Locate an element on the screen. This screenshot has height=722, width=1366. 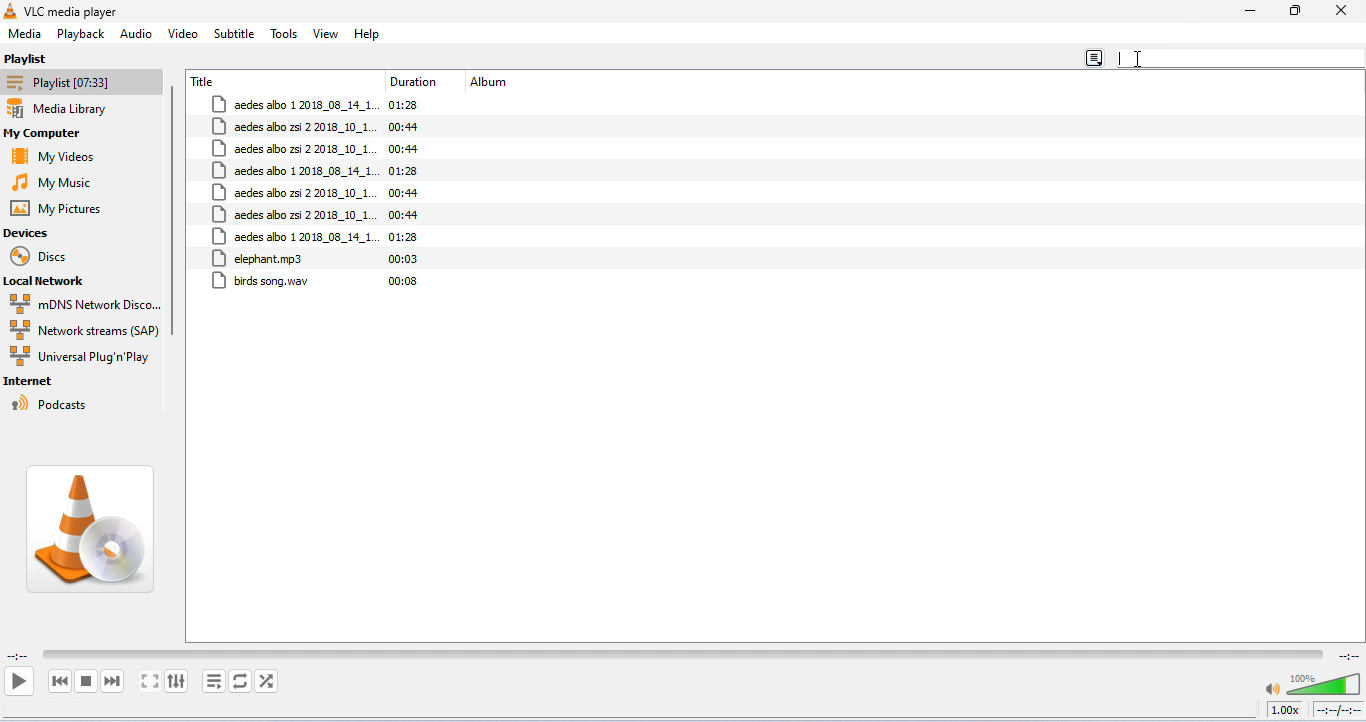
next media is located at coordinates (114, 682).